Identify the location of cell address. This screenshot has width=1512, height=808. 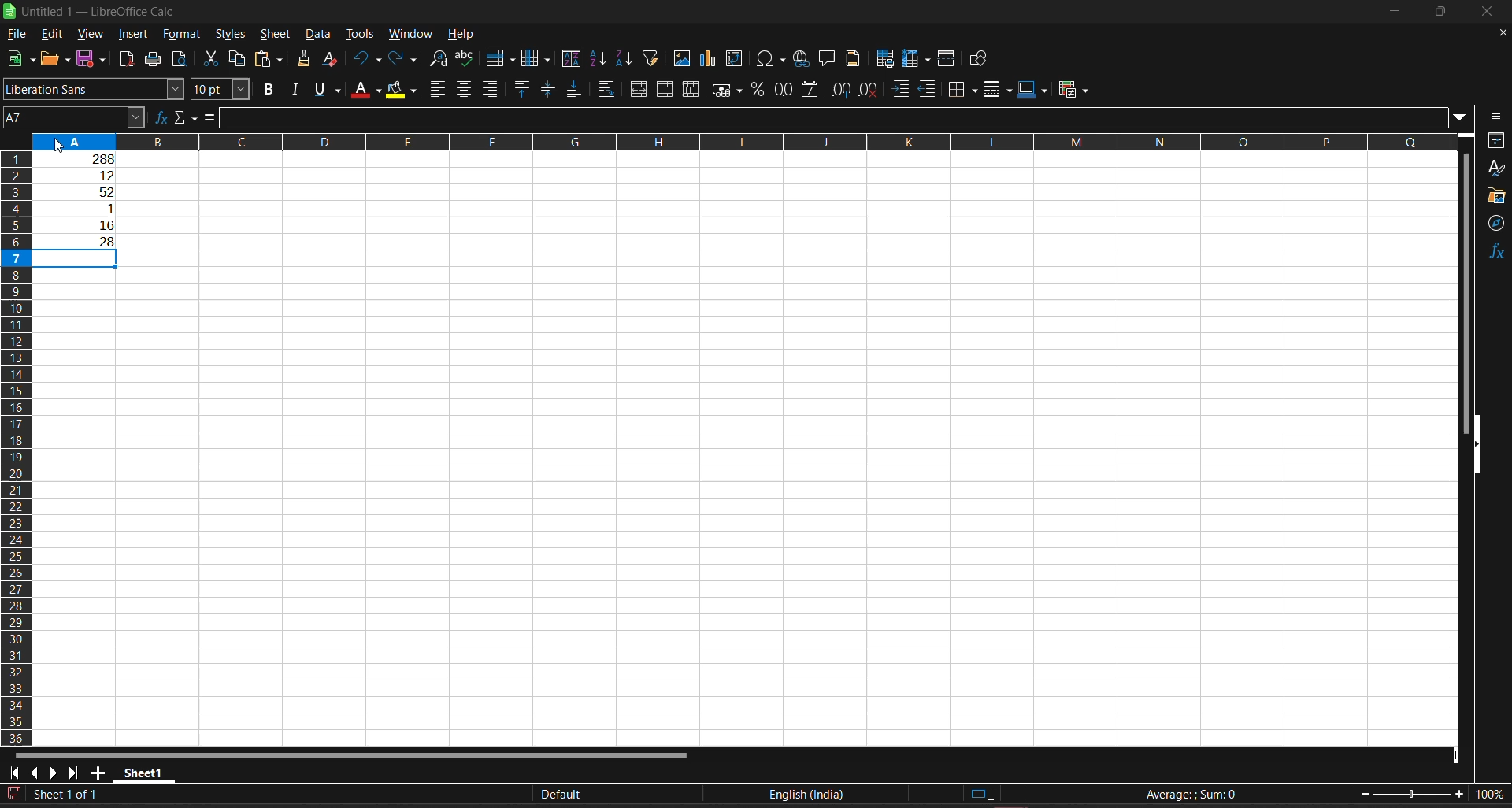
(73, 118).